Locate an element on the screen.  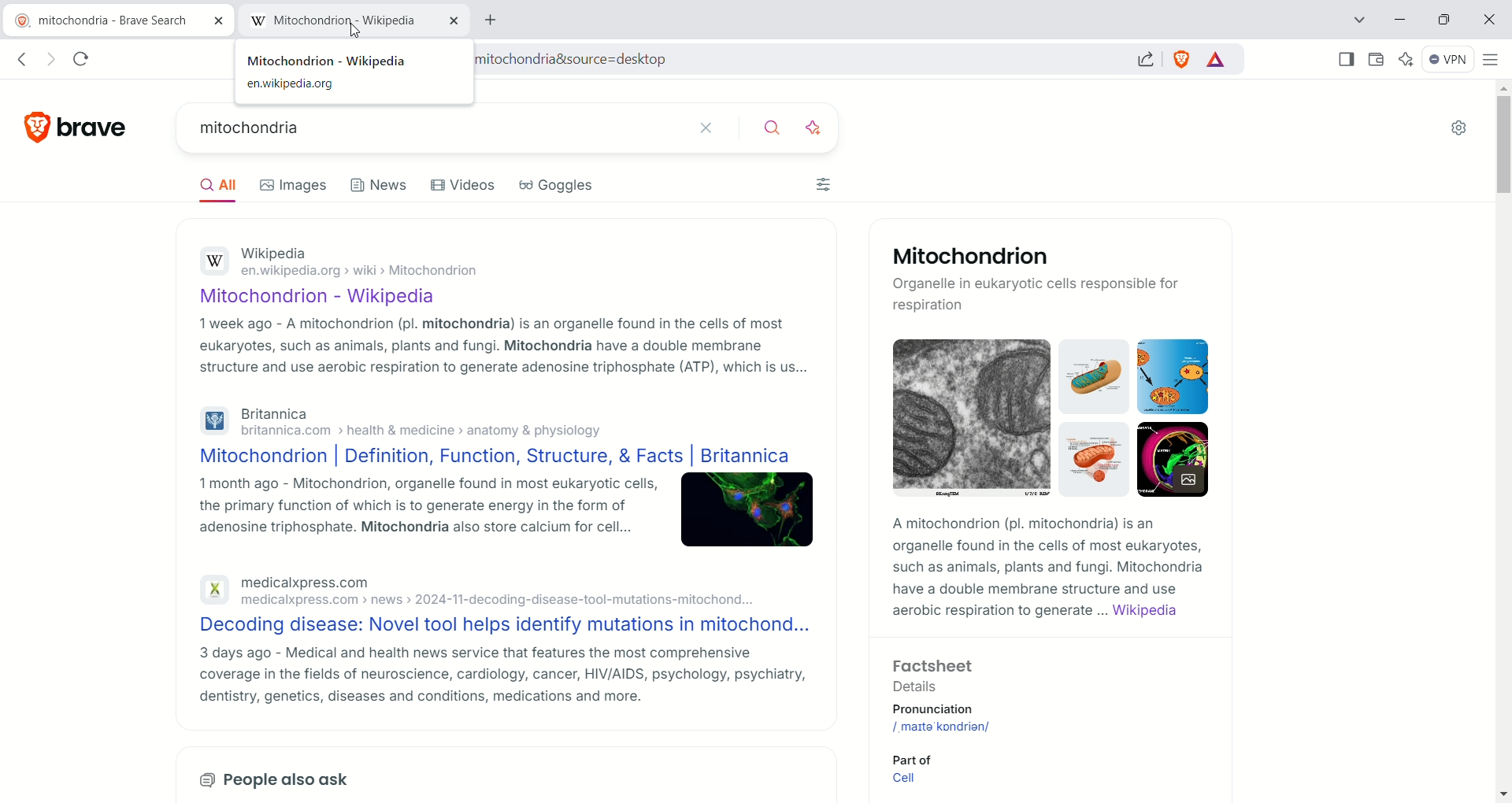
Mitochondrion | Definition, Function, Structure, & Facts | Britannica is located at coordinates (485, 456).